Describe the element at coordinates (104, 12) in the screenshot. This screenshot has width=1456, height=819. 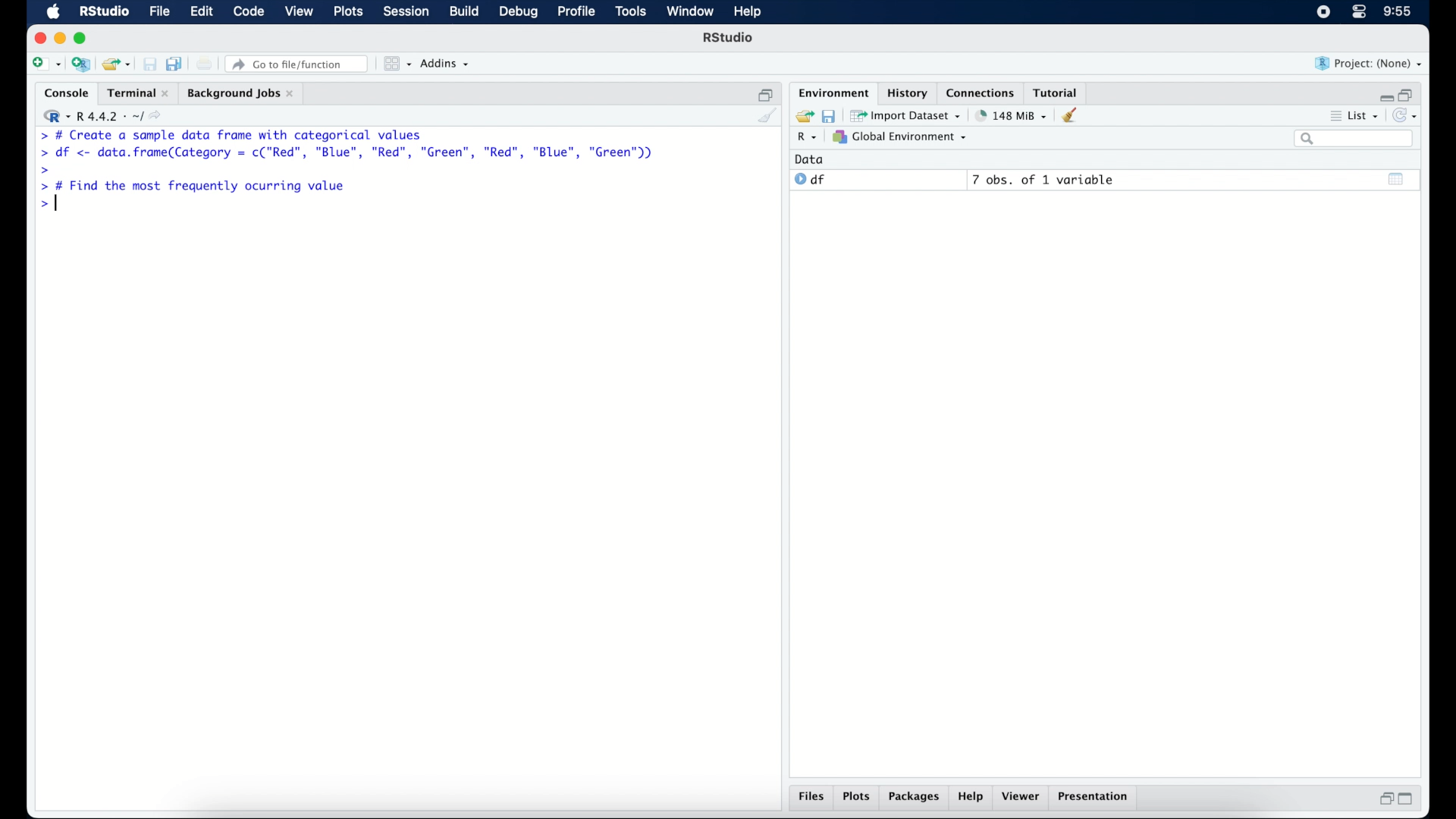
I see `R studio` at that location.